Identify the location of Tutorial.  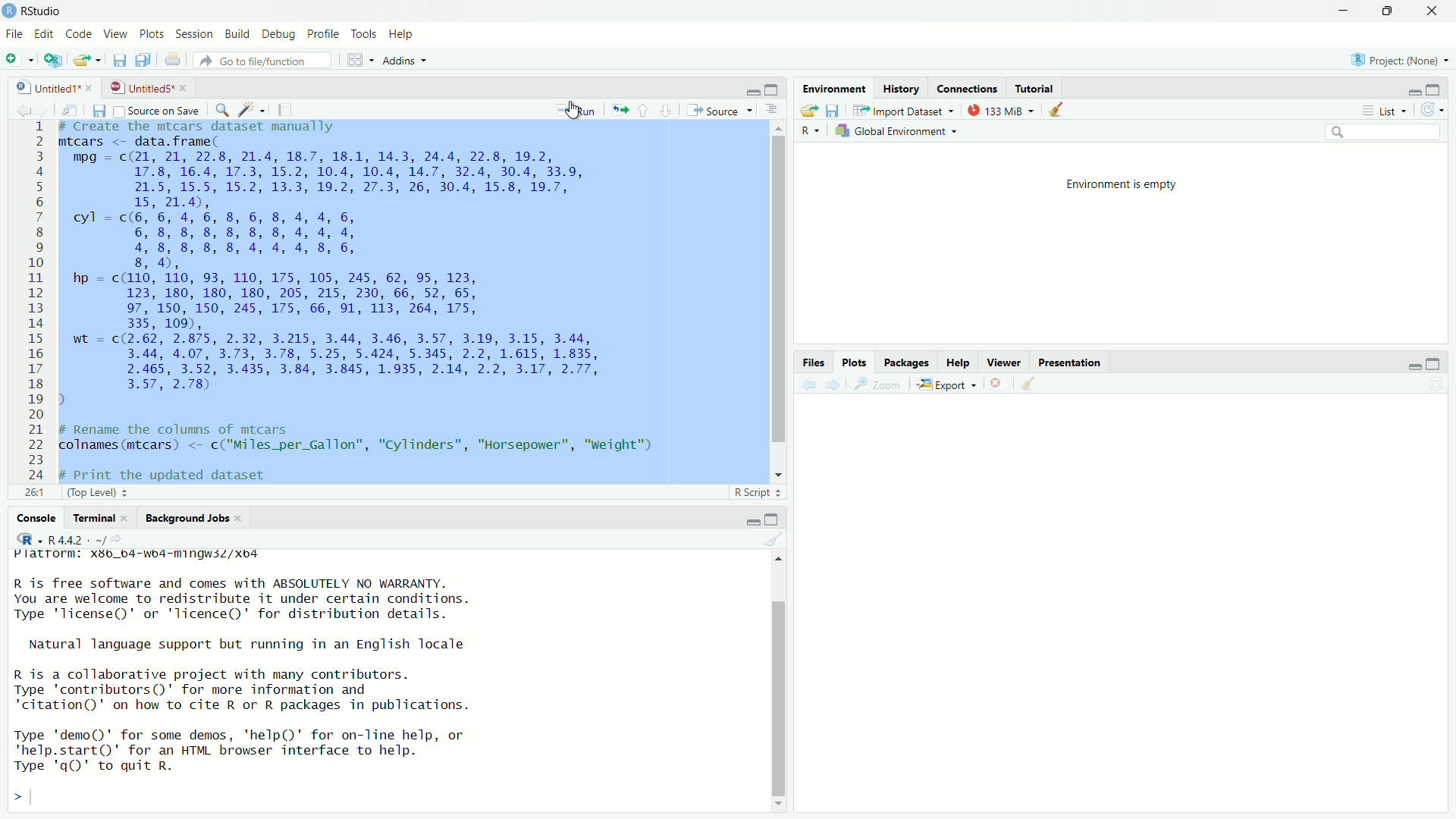
(1036, 89).